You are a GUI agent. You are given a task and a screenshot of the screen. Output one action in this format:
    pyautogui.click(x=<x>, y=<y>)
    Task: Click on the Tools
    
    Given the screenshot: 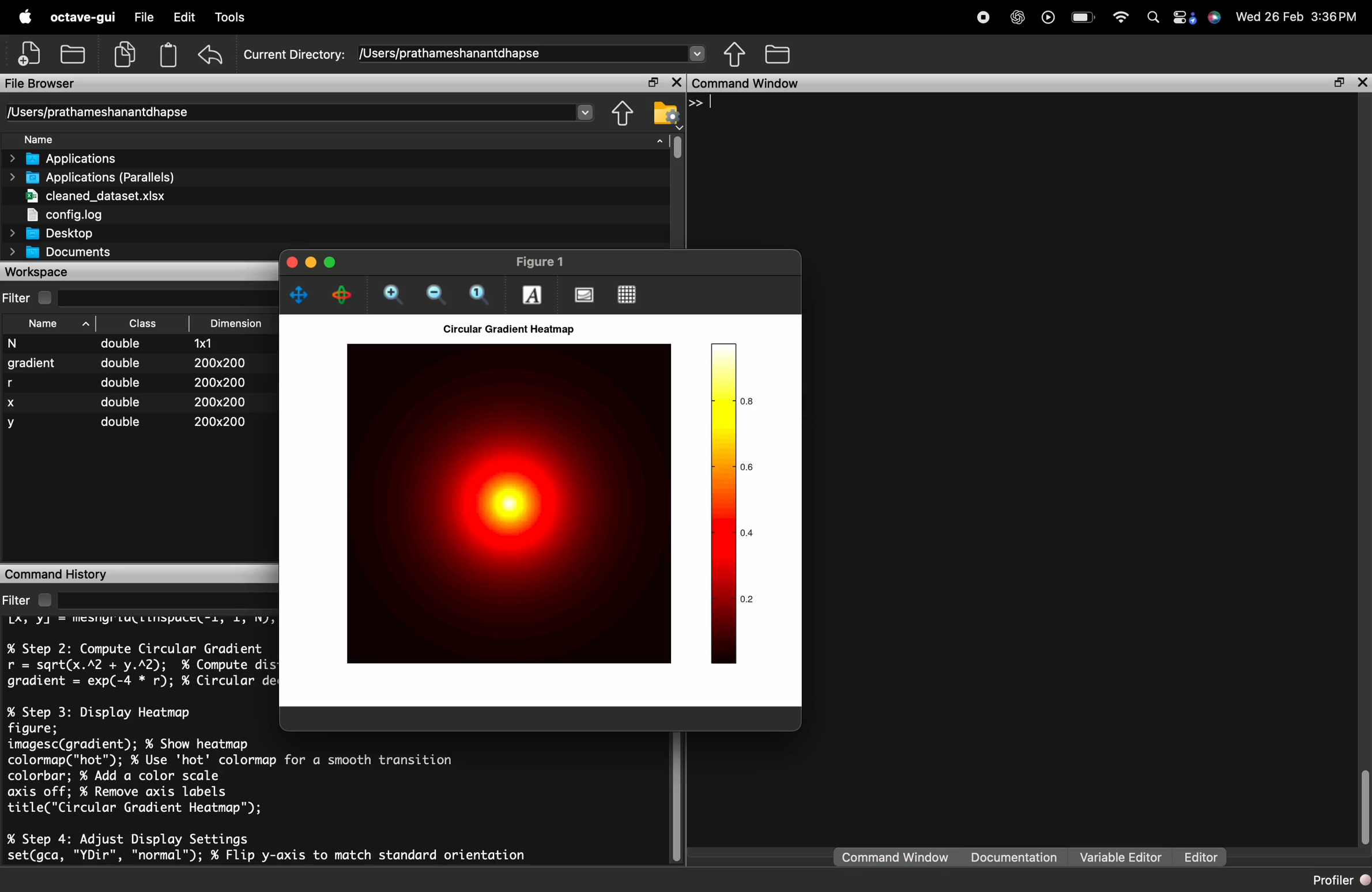 What is the action you would take?
    pyautogui.click(x=285, y=18)
    